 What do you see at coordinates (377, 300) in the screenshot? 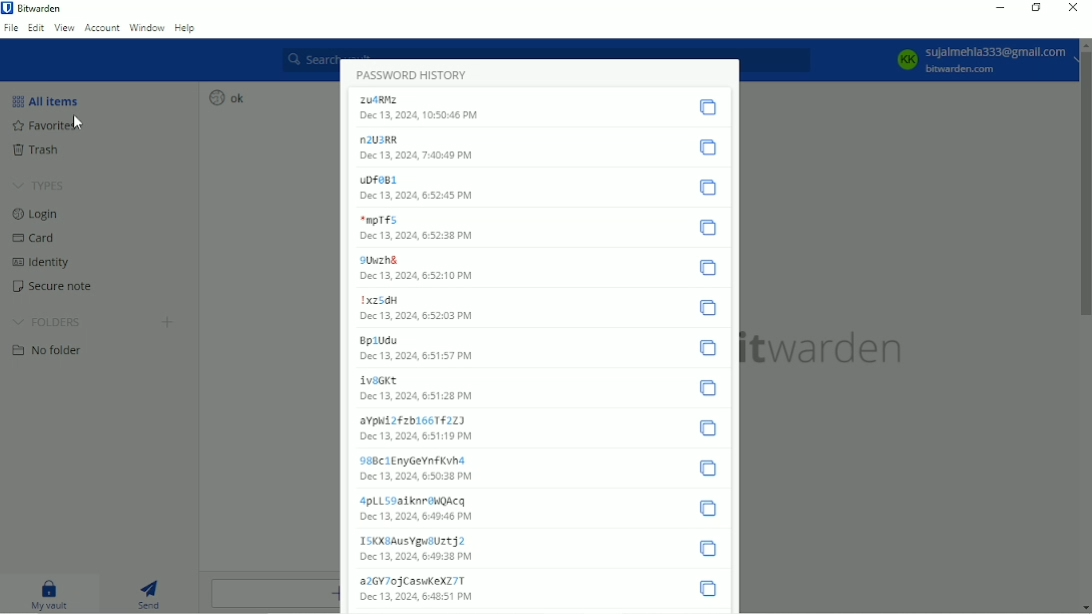
I see `!xz5dH` at bounding box center [377, 300].